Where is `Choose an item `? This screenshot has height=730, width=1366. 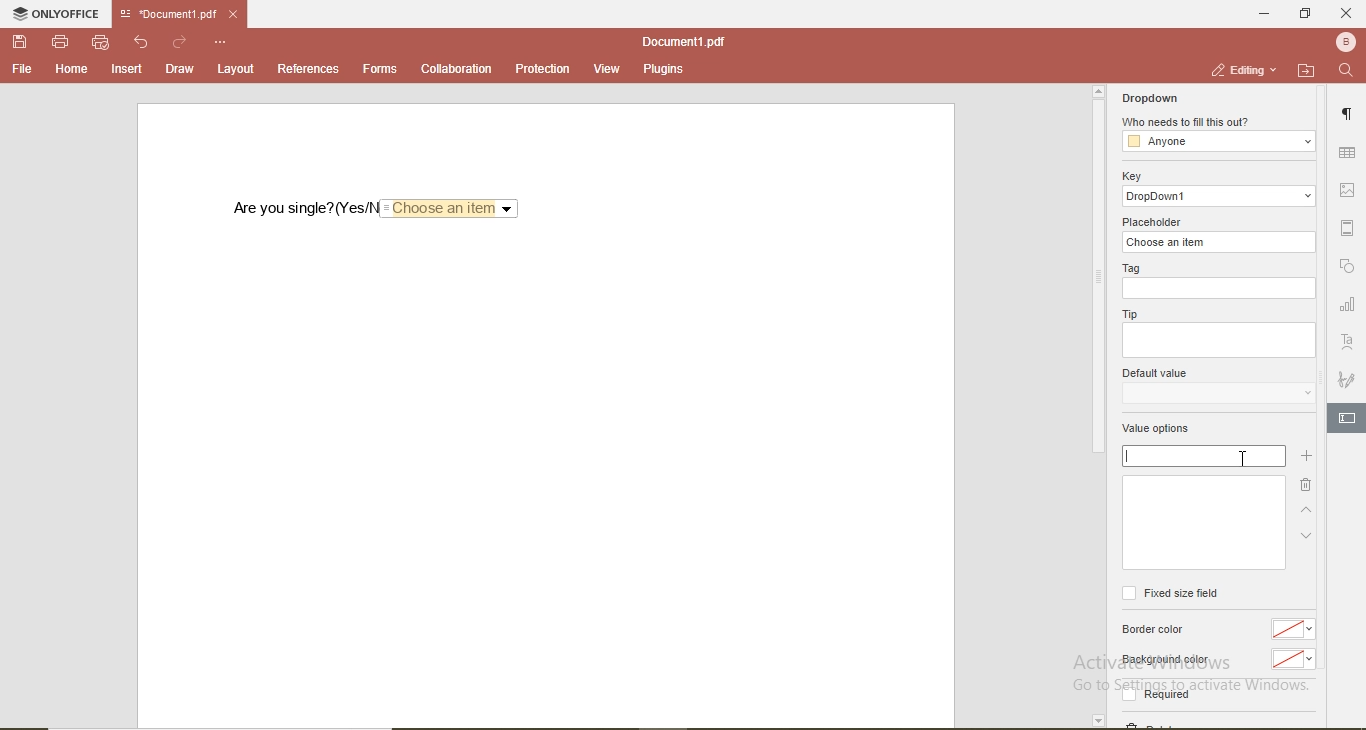 Choose an item  is located at coordinates (448, 208).